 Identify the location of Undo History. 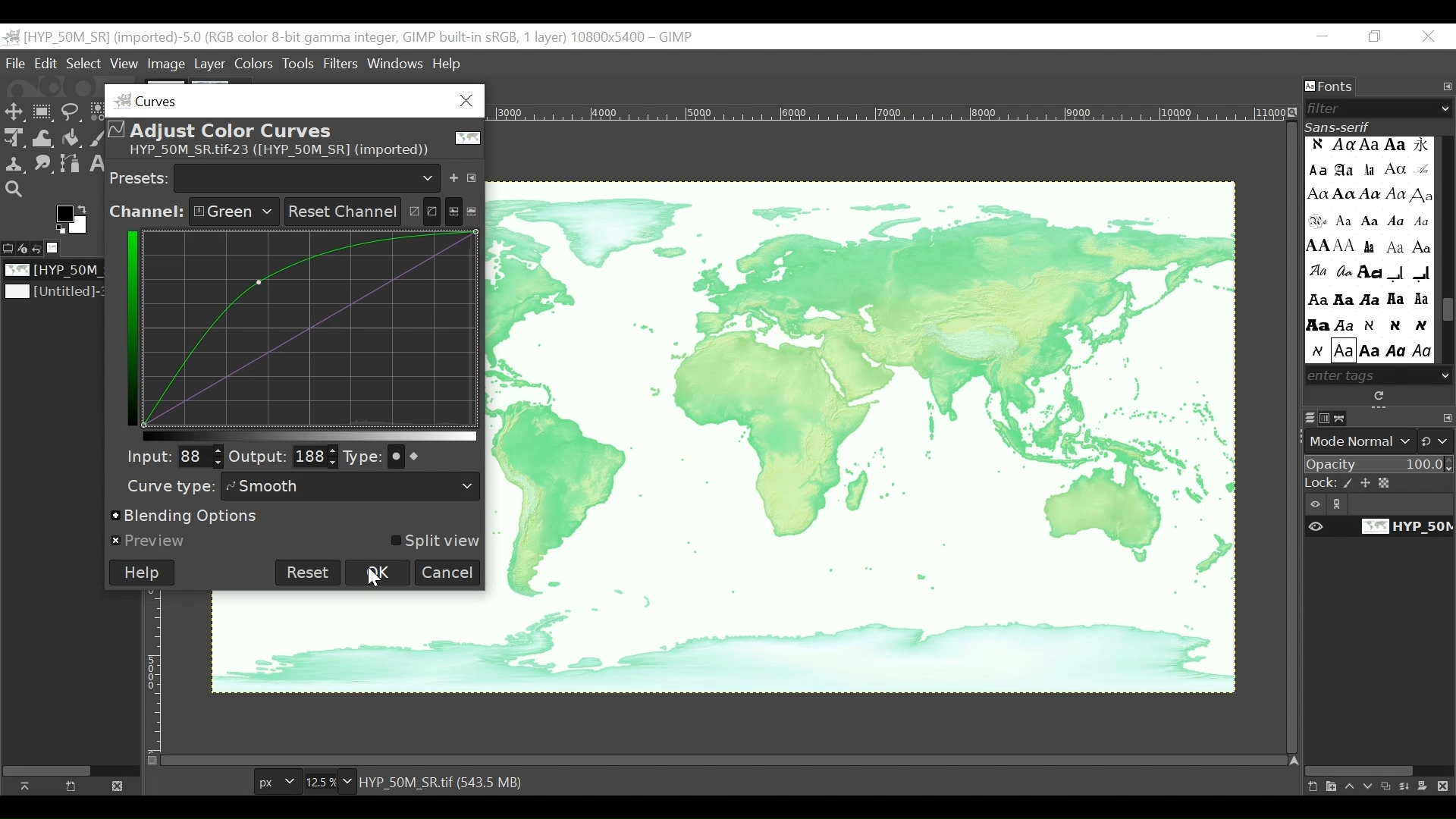
(42, 249).